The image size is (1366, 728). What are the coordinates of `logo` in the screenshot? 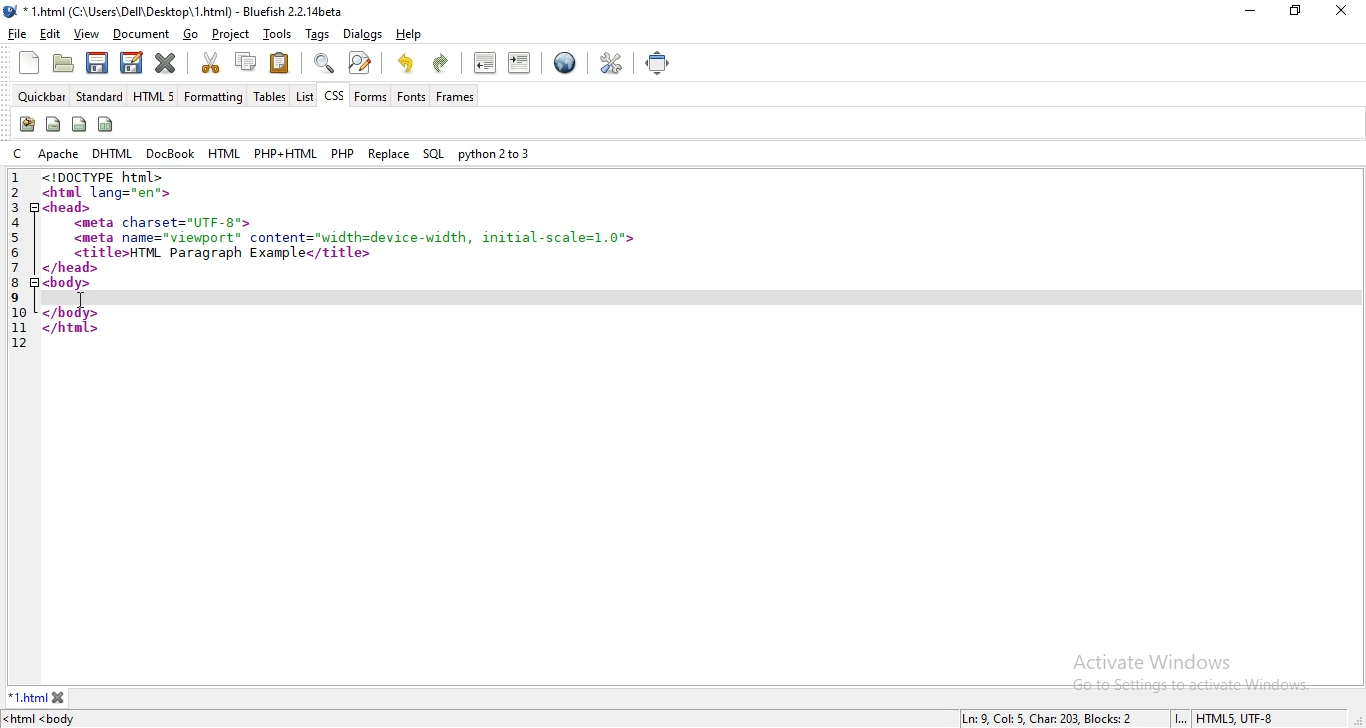 It's located at (12, 11).